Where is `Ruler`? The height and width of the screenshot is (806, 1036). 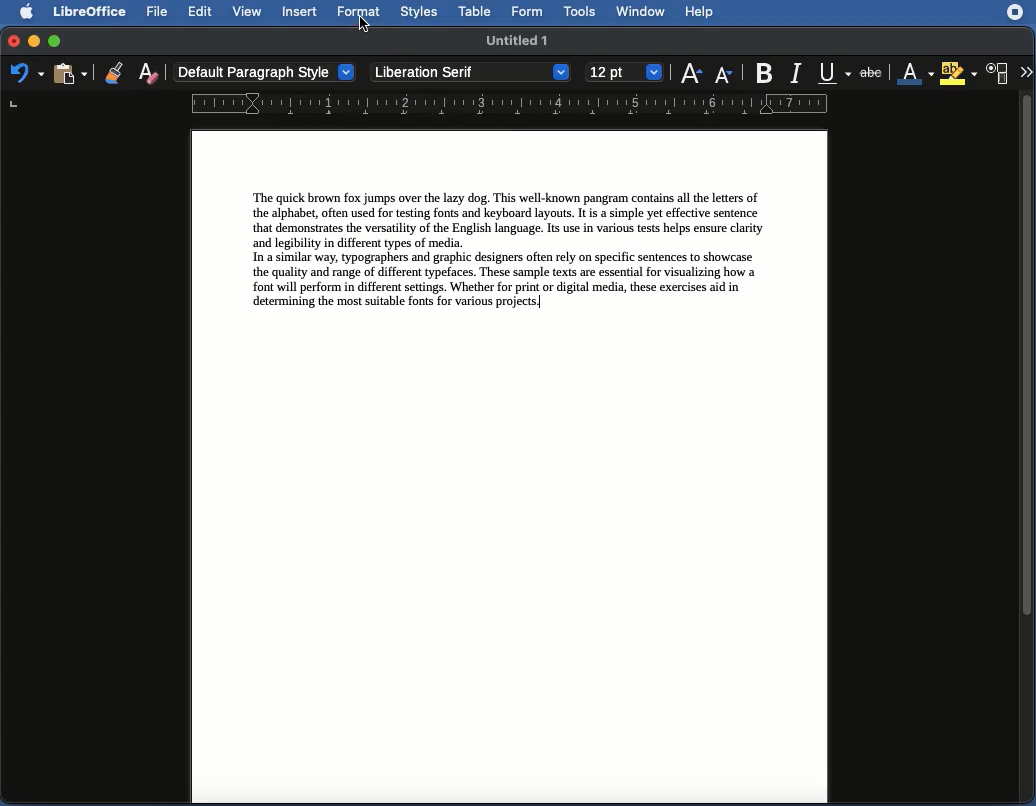
Ruler is located at coordinates (416, 103).